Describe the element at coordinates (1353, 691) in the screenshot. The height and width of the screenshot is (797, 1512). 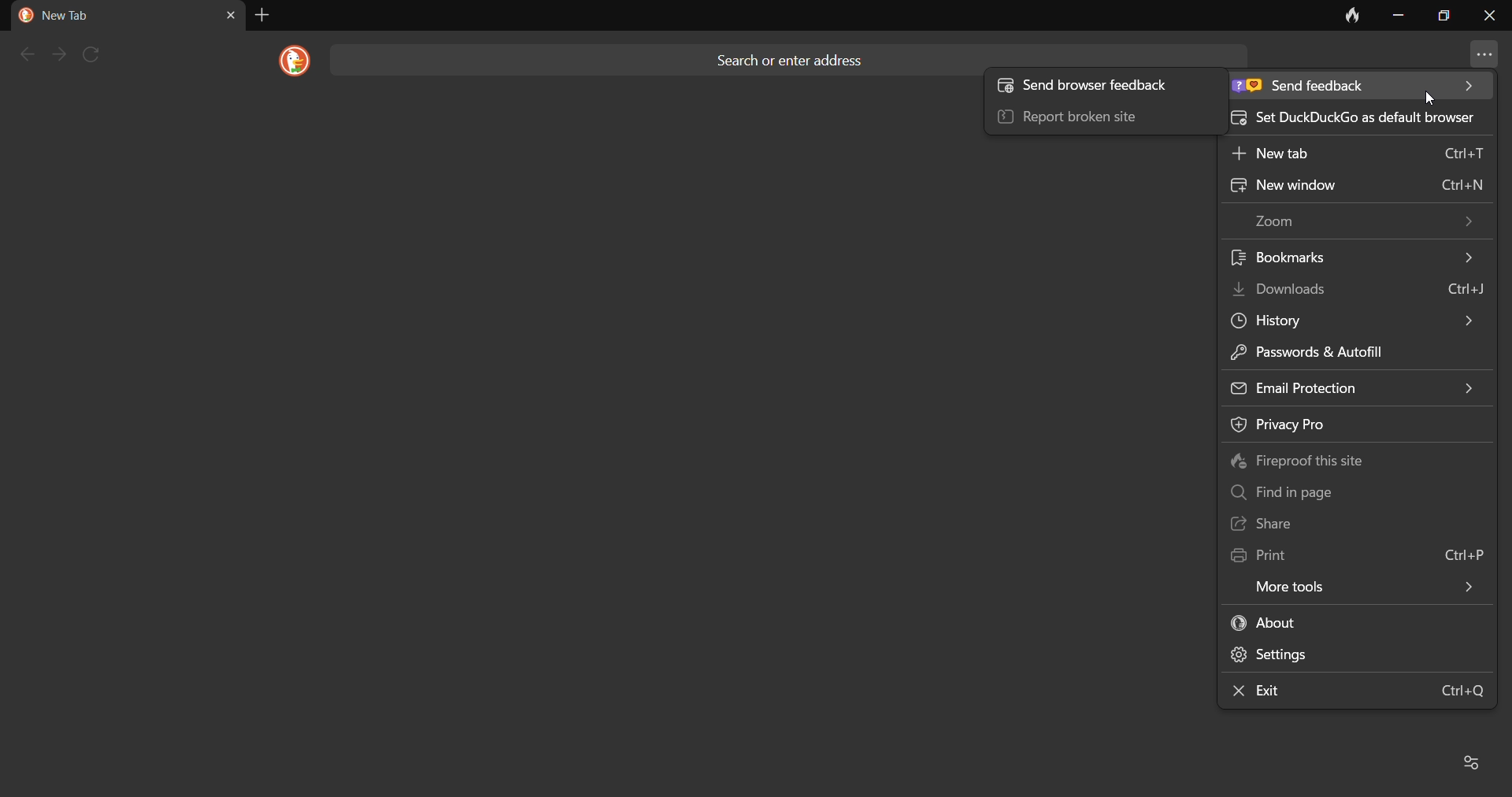
I see `exit` at that location.